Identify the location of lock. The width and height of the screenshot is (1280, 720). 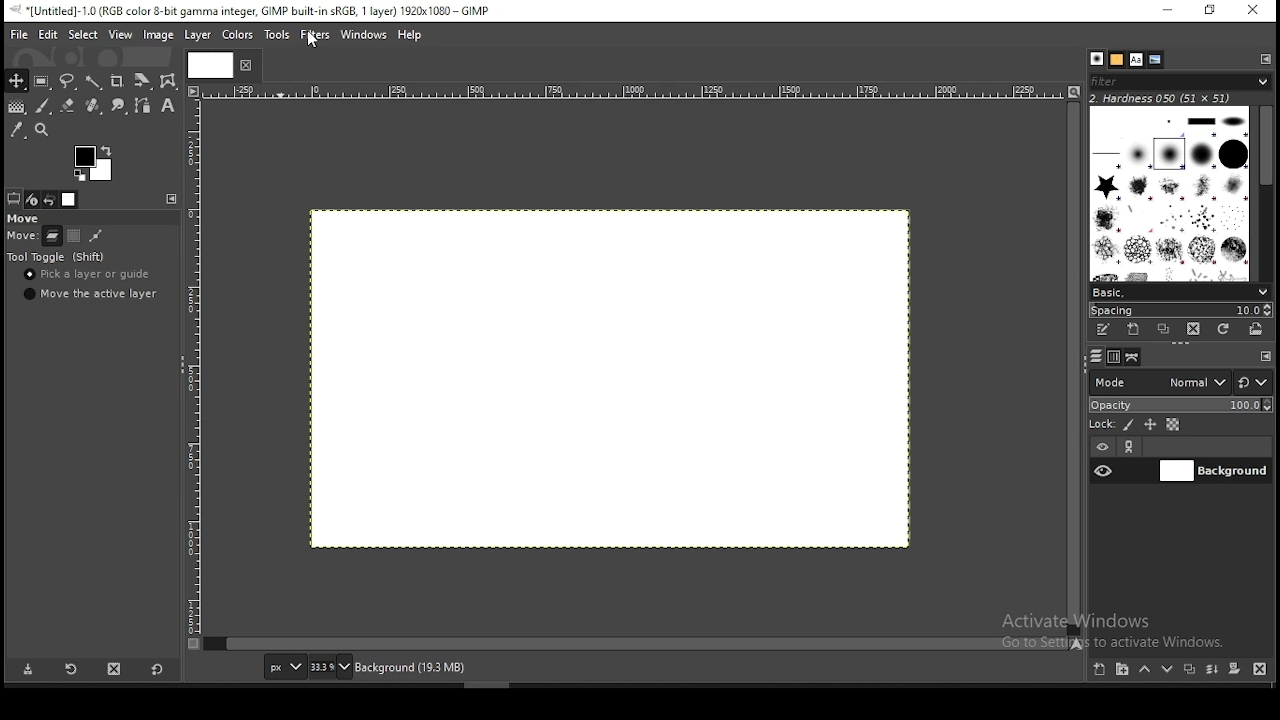
(1101, 424).